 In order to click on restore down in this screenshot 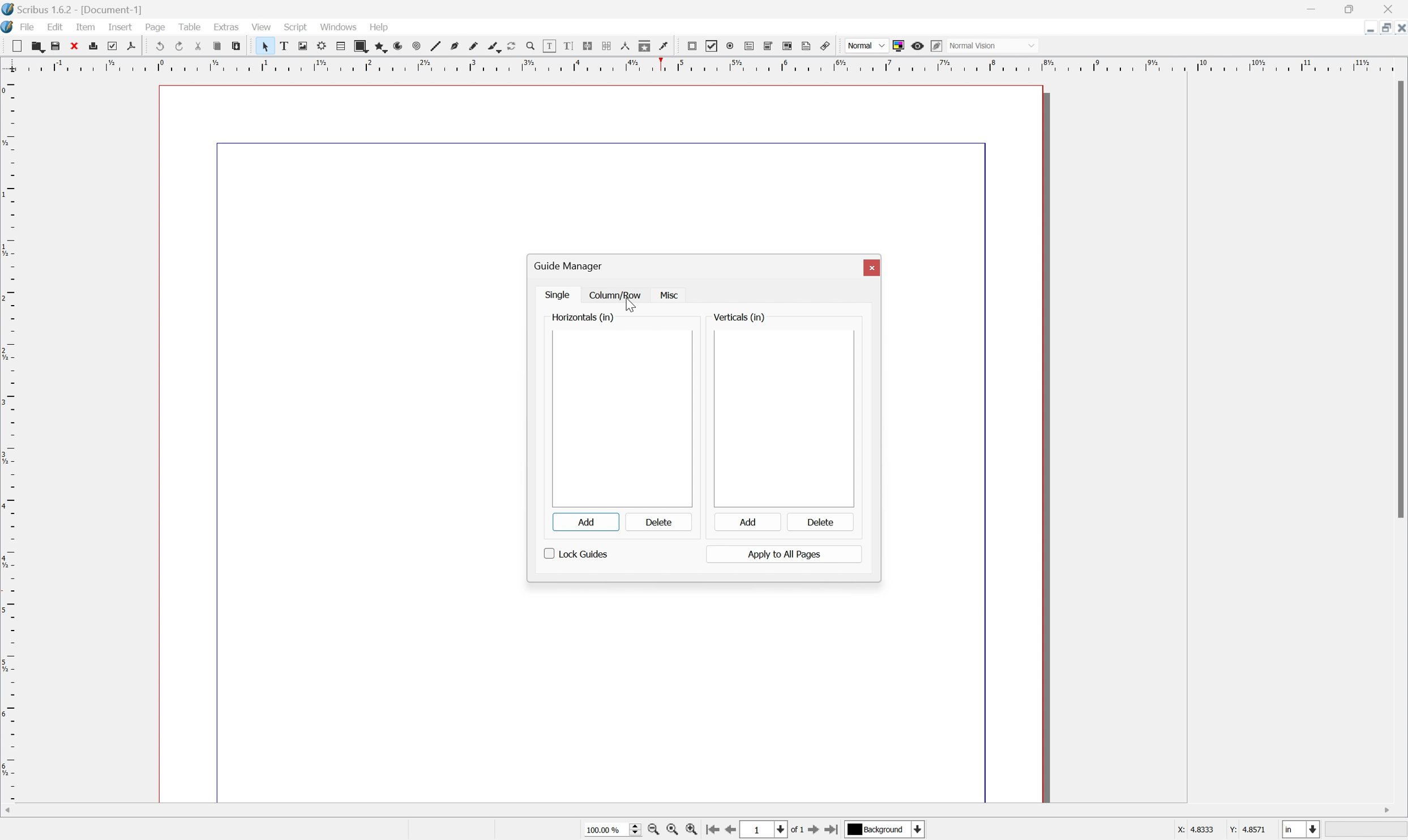, I will do `click(1350, 7)`.